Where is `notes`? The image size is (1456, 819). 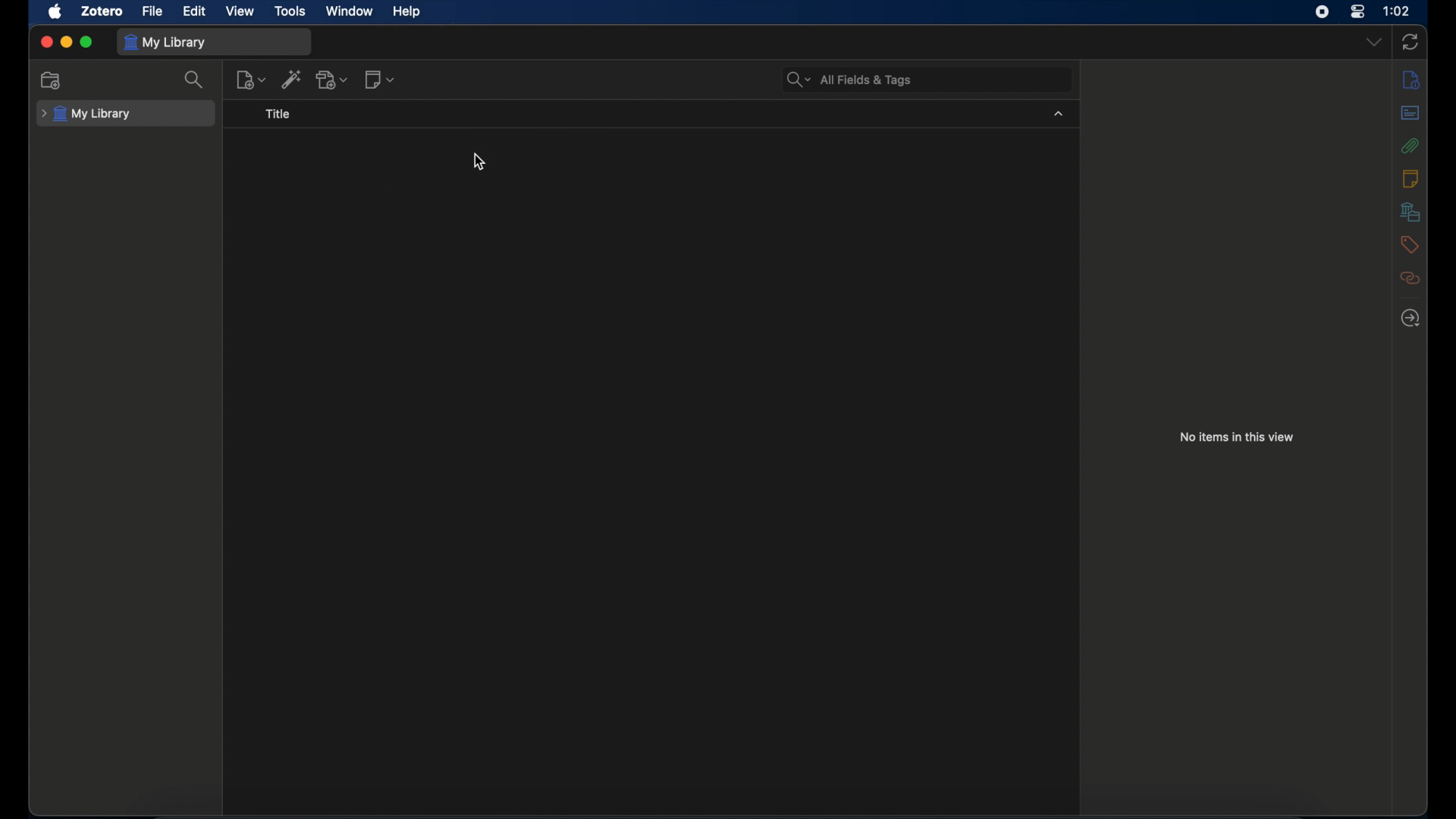 notes is located at coordinates (1411, 177).